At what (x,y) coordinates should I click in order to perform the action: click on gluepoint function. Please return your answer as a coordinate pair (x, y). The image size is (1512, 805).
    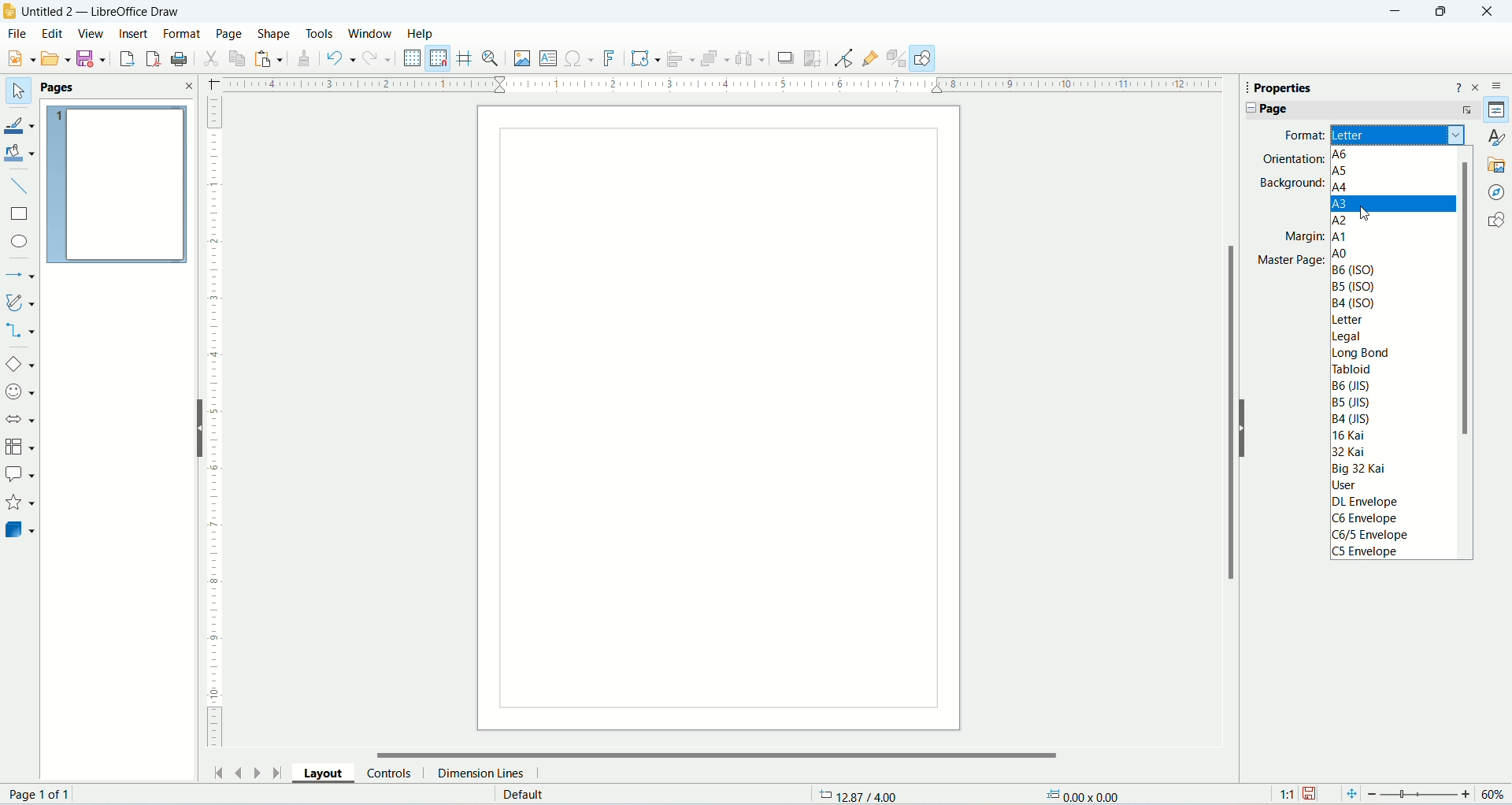
    Looking at the image, I should click on (872, 57).